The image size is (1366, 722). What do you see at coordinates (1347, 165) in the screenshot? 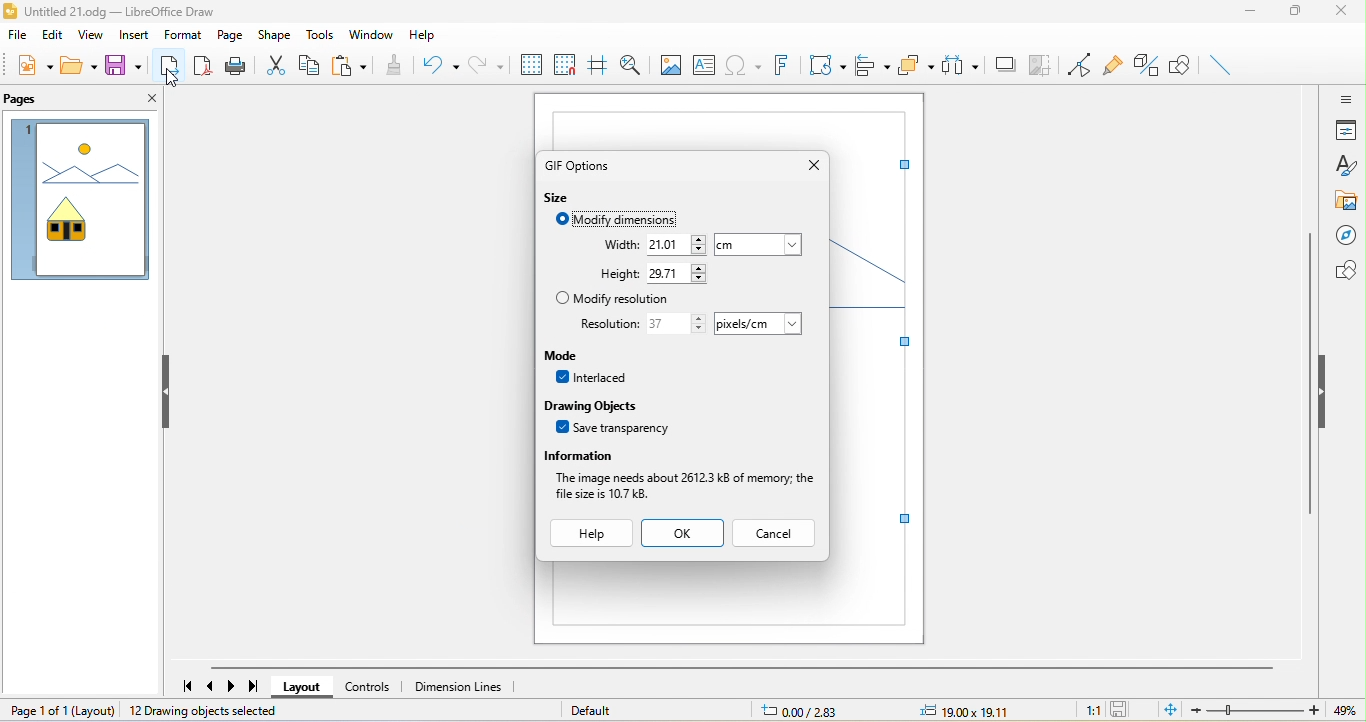
I see `style` at bounding box center [1347, 165].